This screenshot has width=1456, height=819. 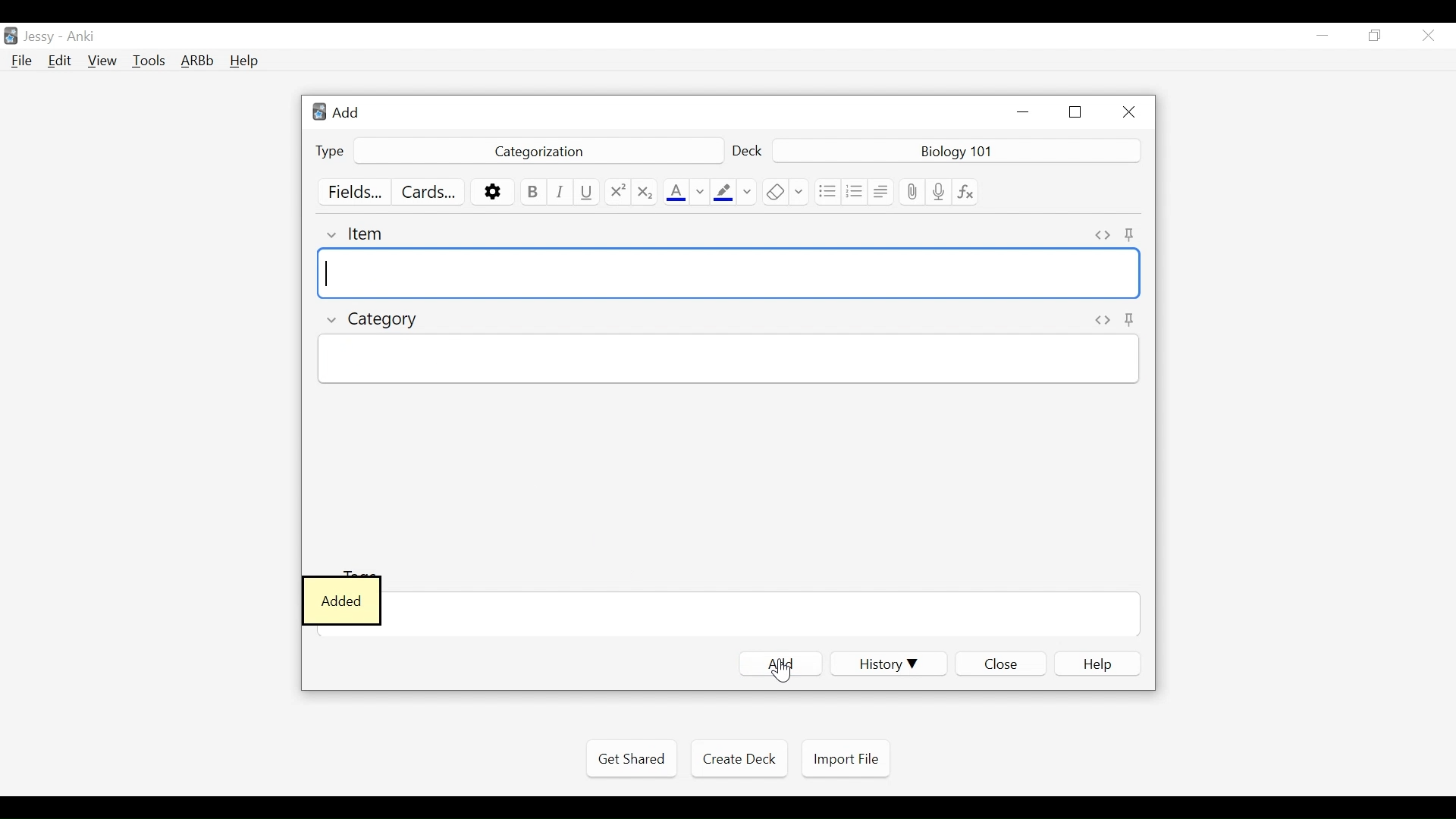 I want to click on Add, so click(x=780, y=664).